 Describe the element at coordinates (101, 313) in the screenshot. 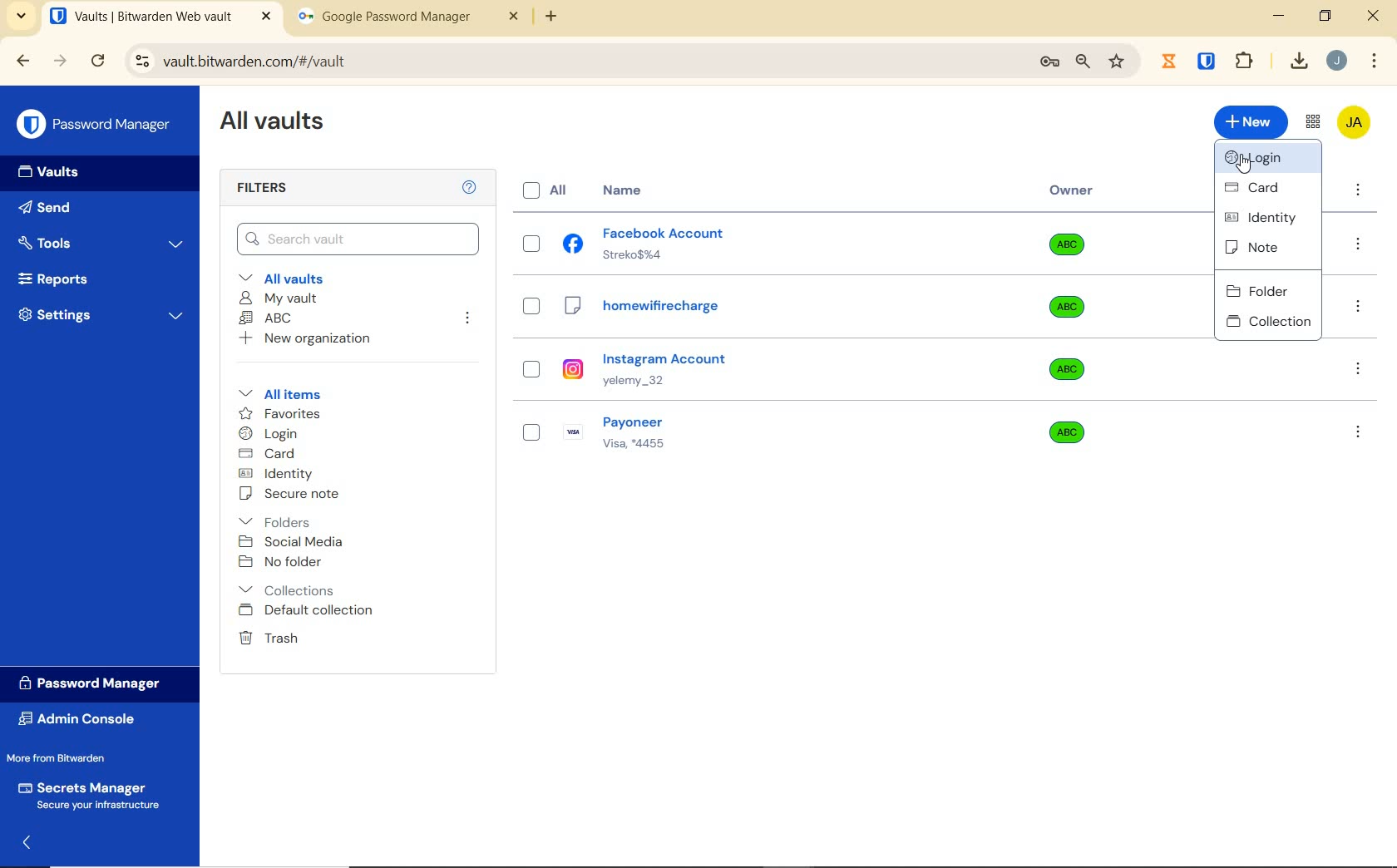

I see `Settings` at that location.